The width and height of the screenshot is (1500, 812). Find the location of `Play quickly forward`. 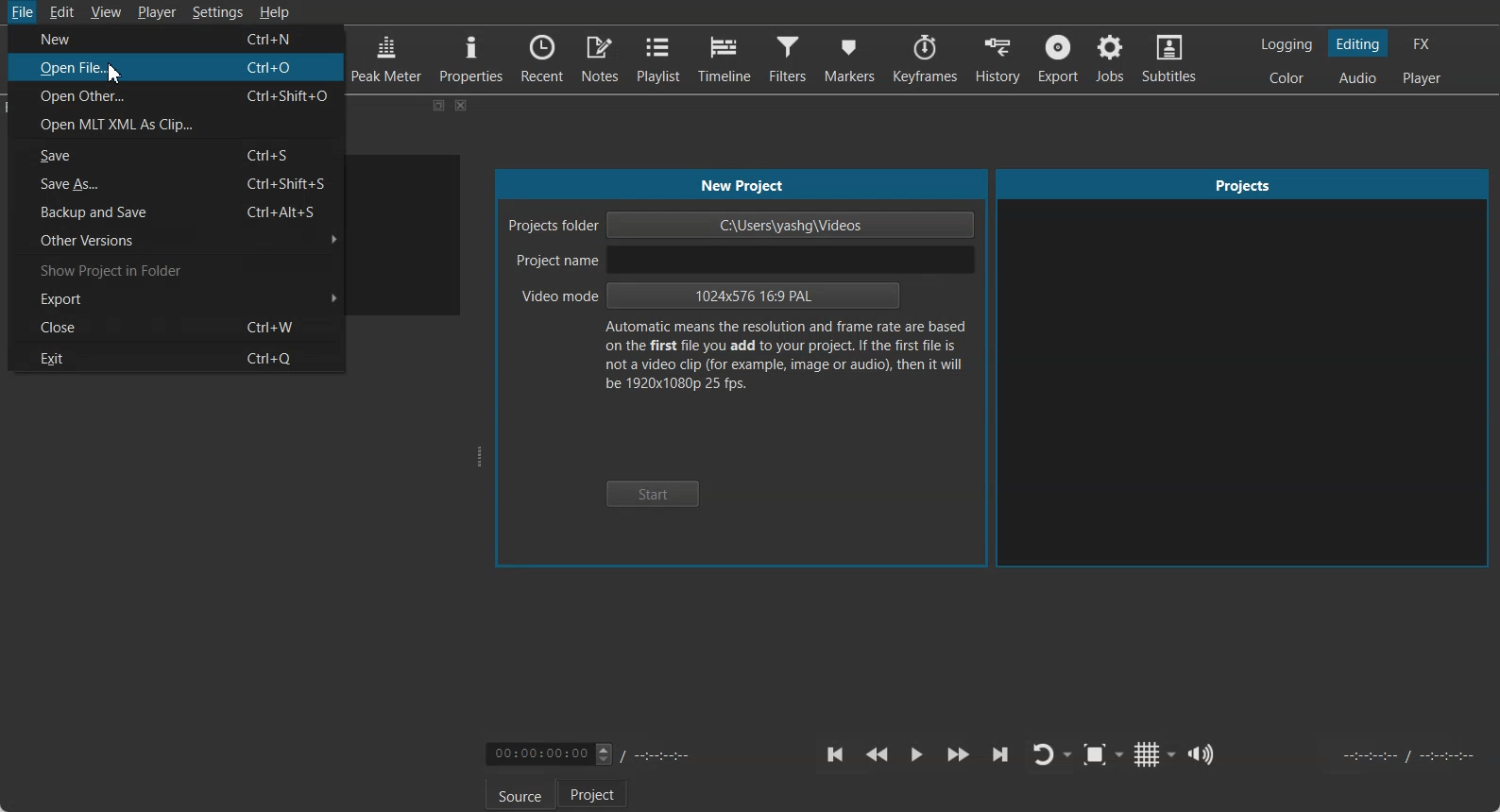

Play quickly forward is located at coordinates (959, 755).